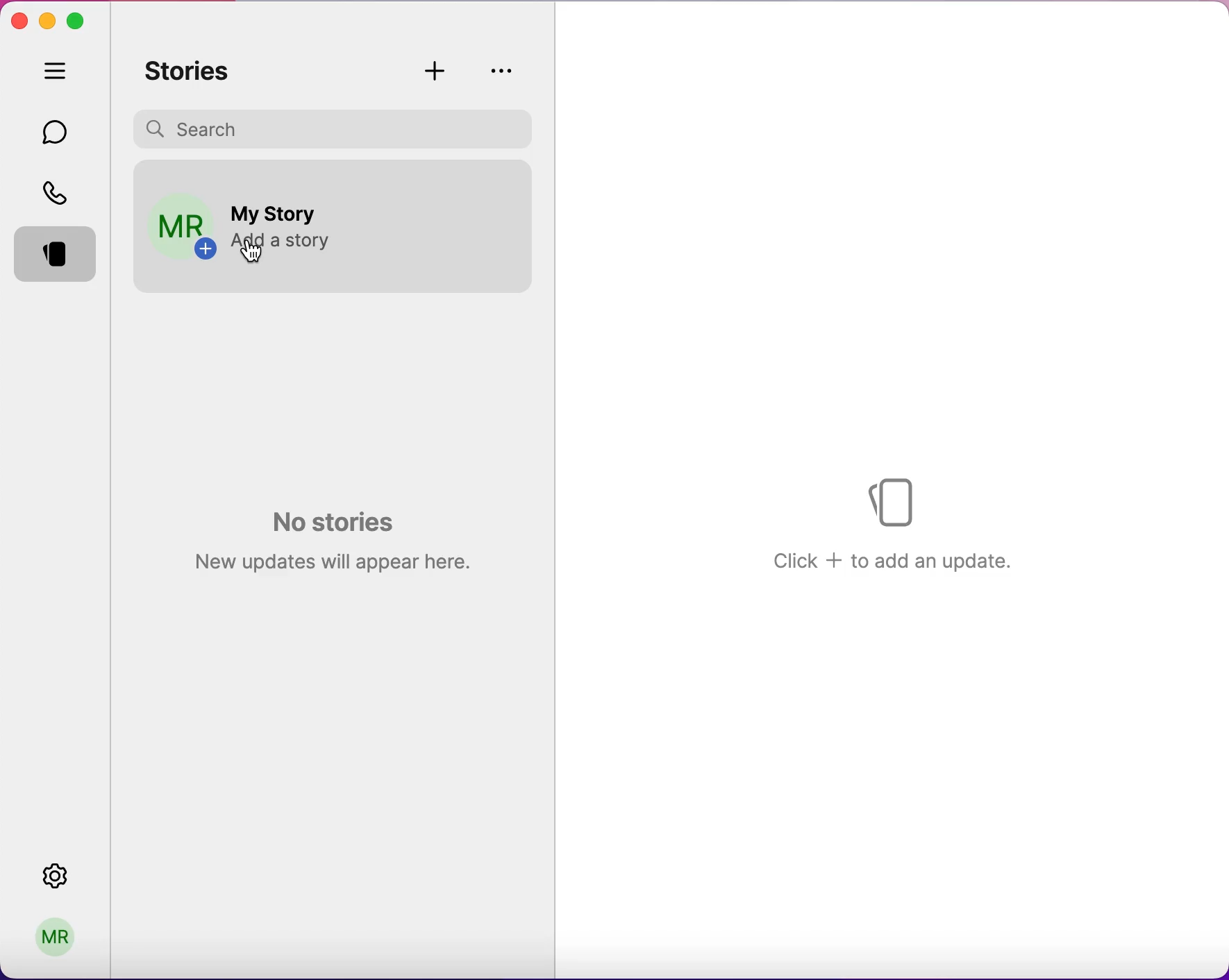  Describe the element at coordinates (80, 20) in the screenshot. I see `maximize` at that location.